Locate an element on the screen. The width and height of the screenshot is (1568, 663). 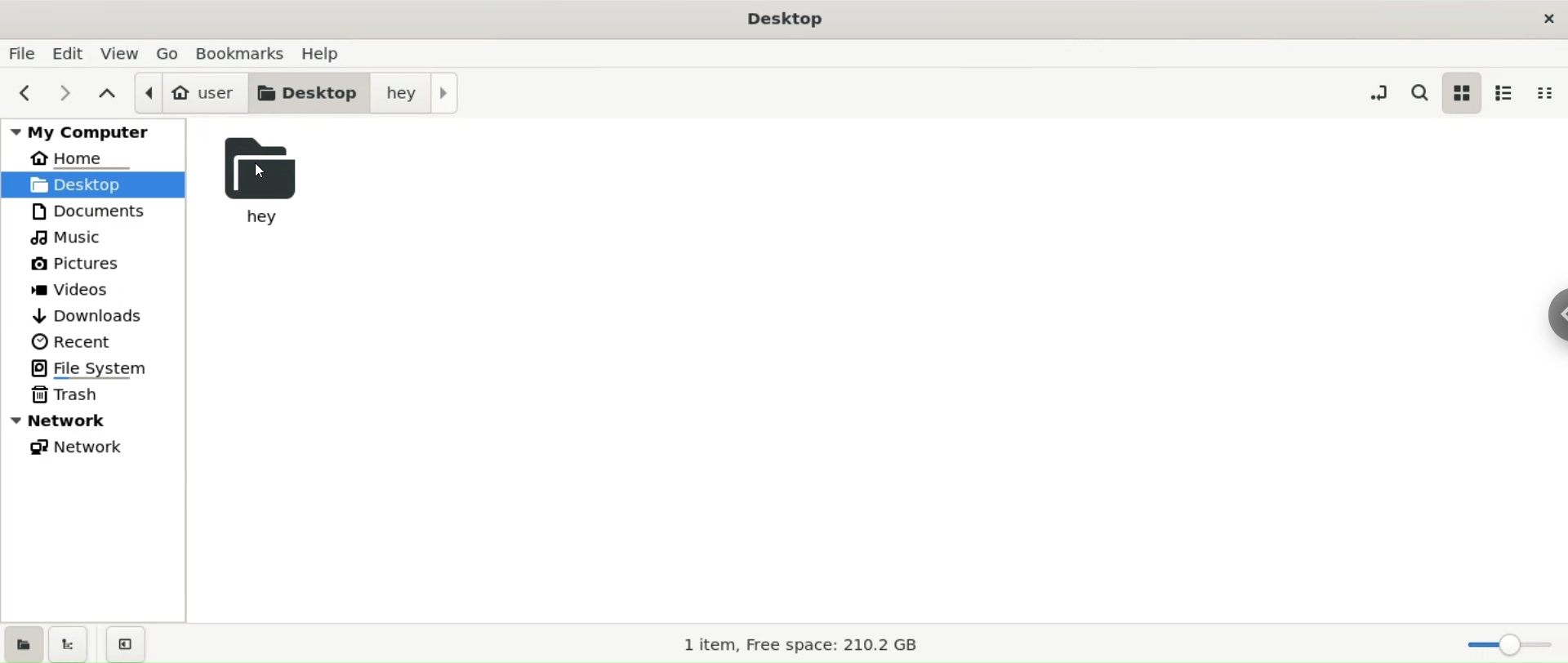
documents is located at coordinates (98, 212).